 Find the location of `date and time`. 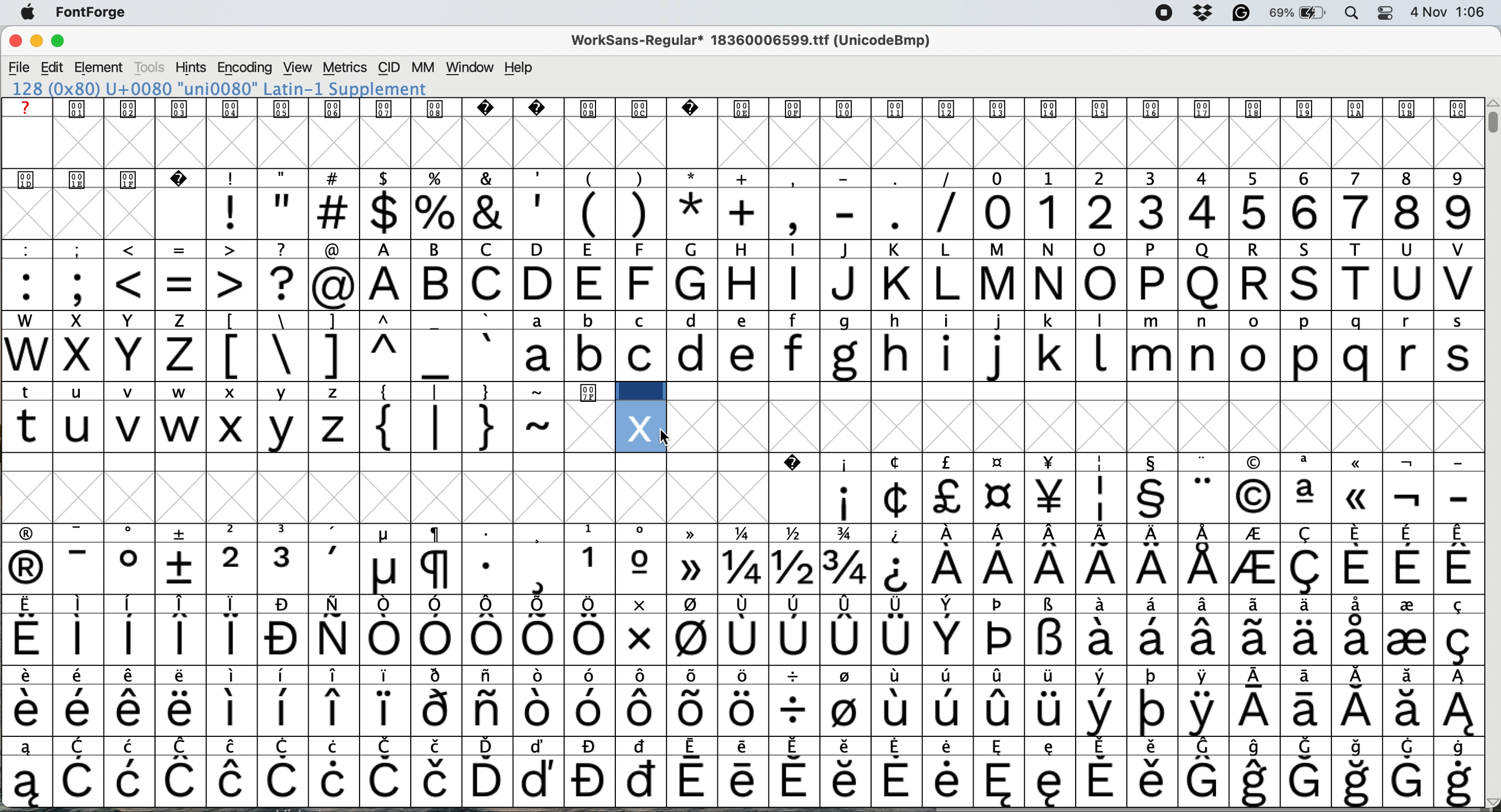

date and time is located at coordinates (1449, 12).